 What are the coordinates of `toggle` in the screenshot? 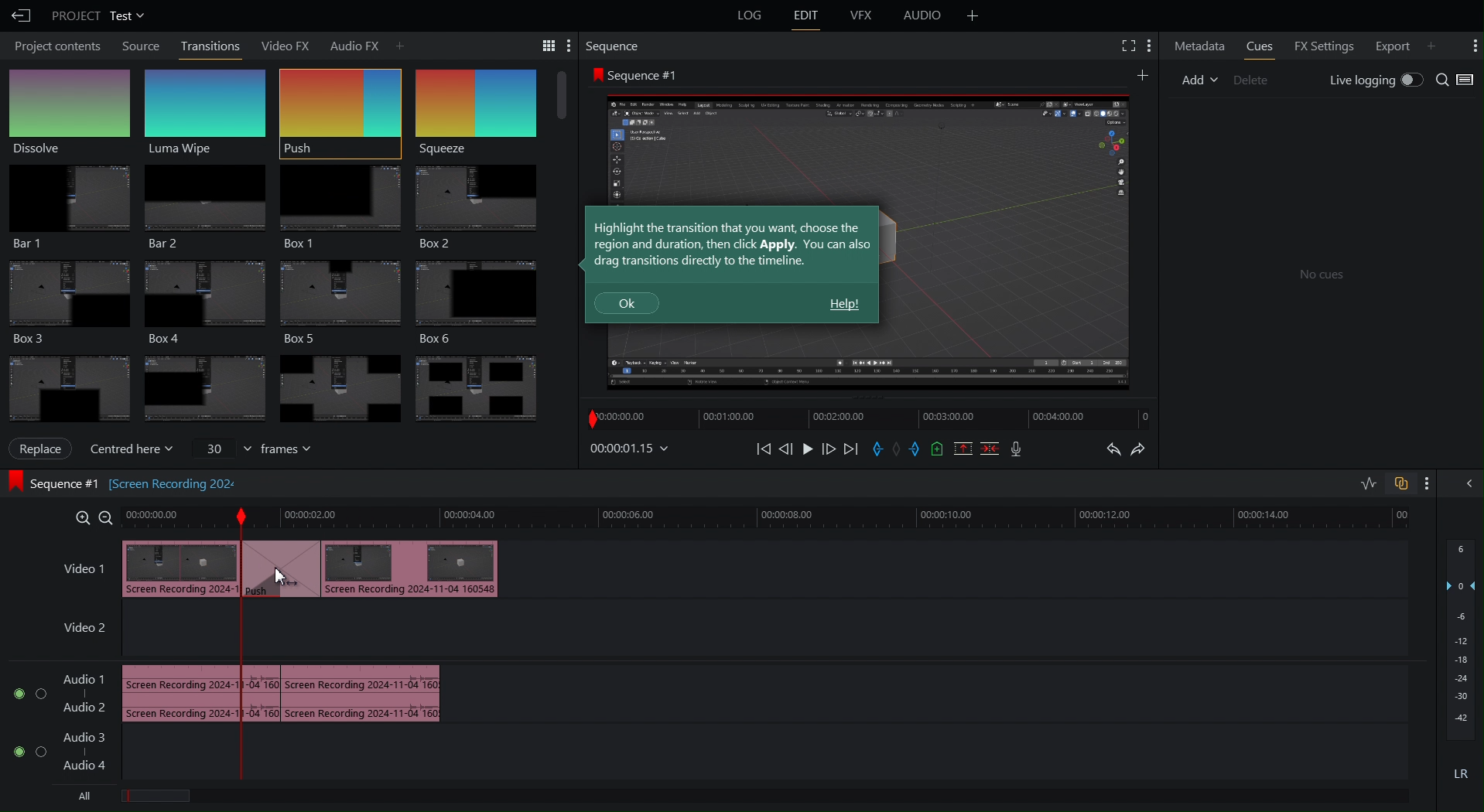 It's located at (39, 752).